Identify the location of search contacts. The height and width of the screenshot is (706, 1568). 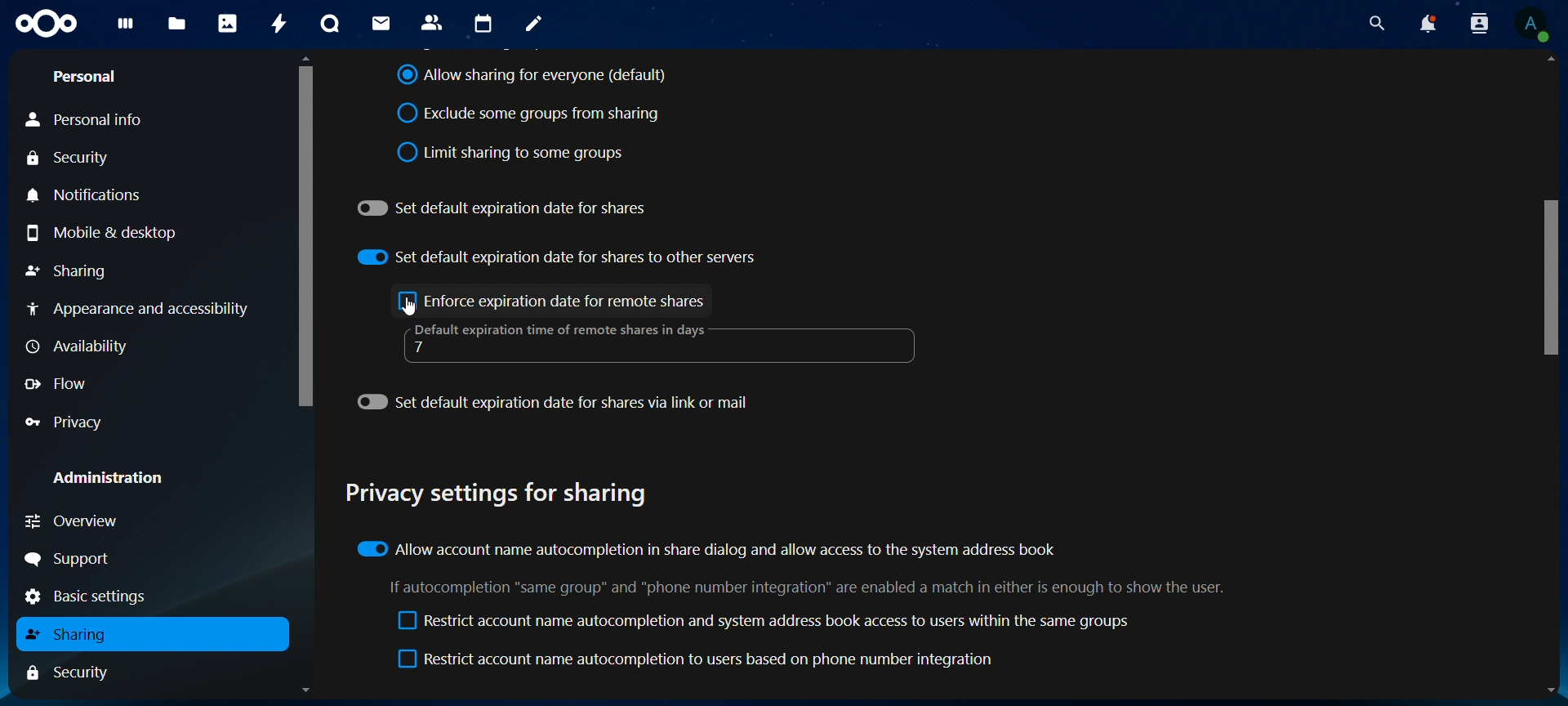
(1478, 25).